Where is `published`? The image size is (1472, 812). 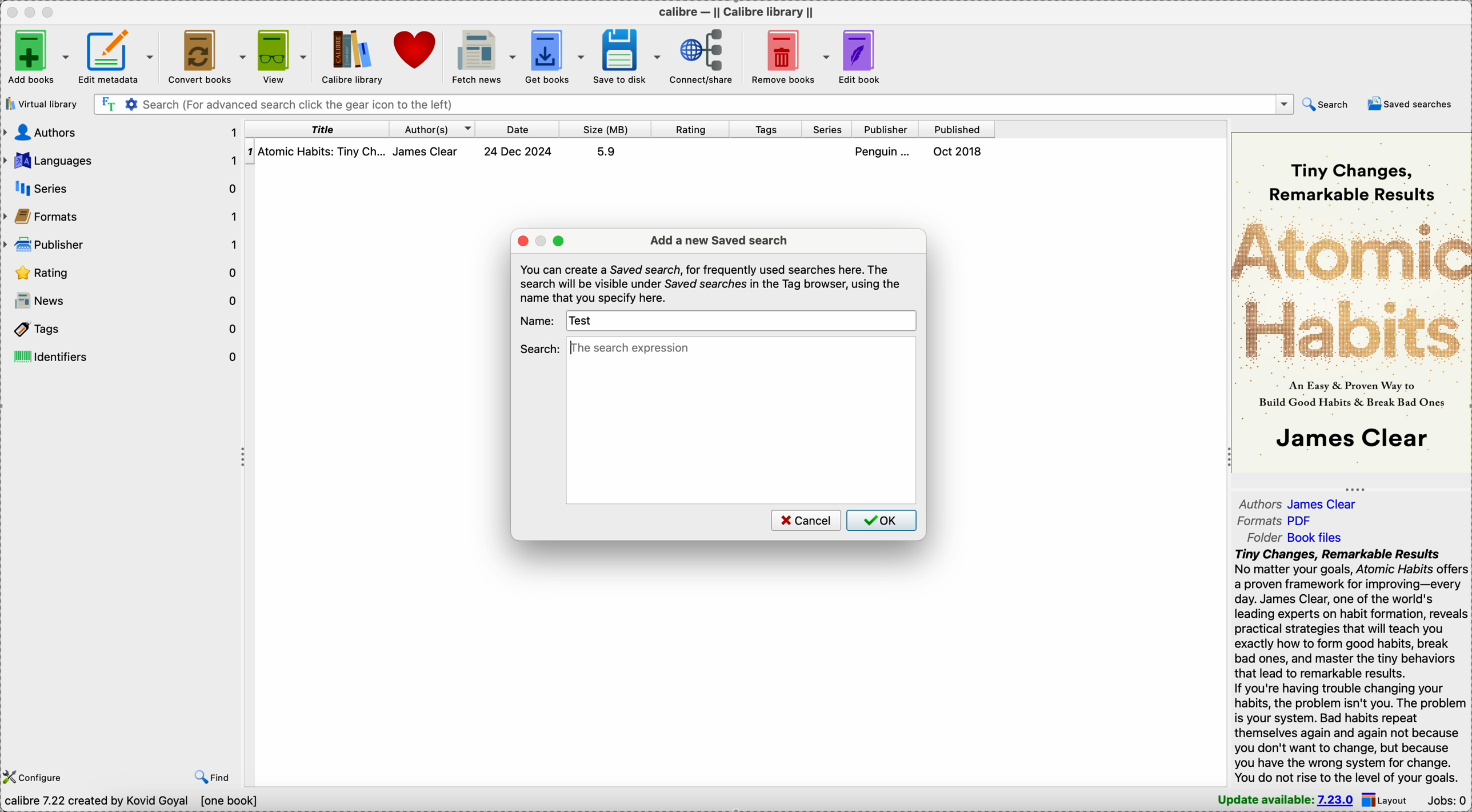 published is located at coordinates (957, 129).